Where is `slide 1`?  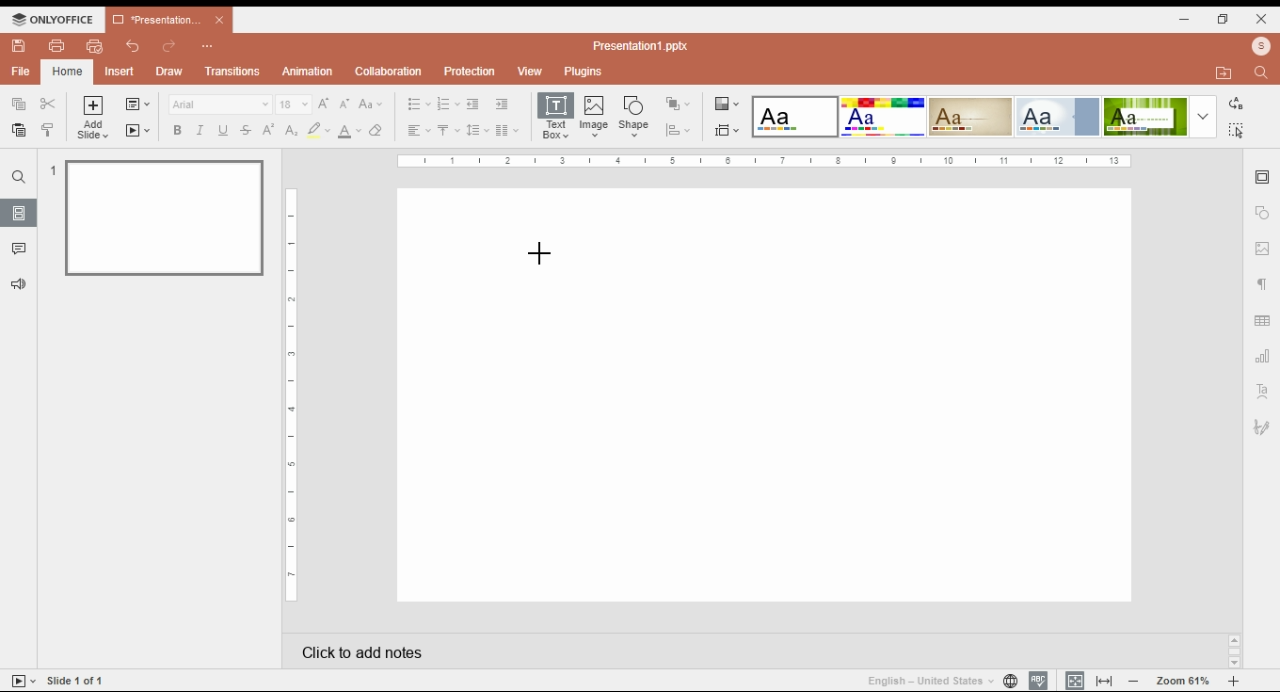
slide 1 is located at coordinates (164, 219).